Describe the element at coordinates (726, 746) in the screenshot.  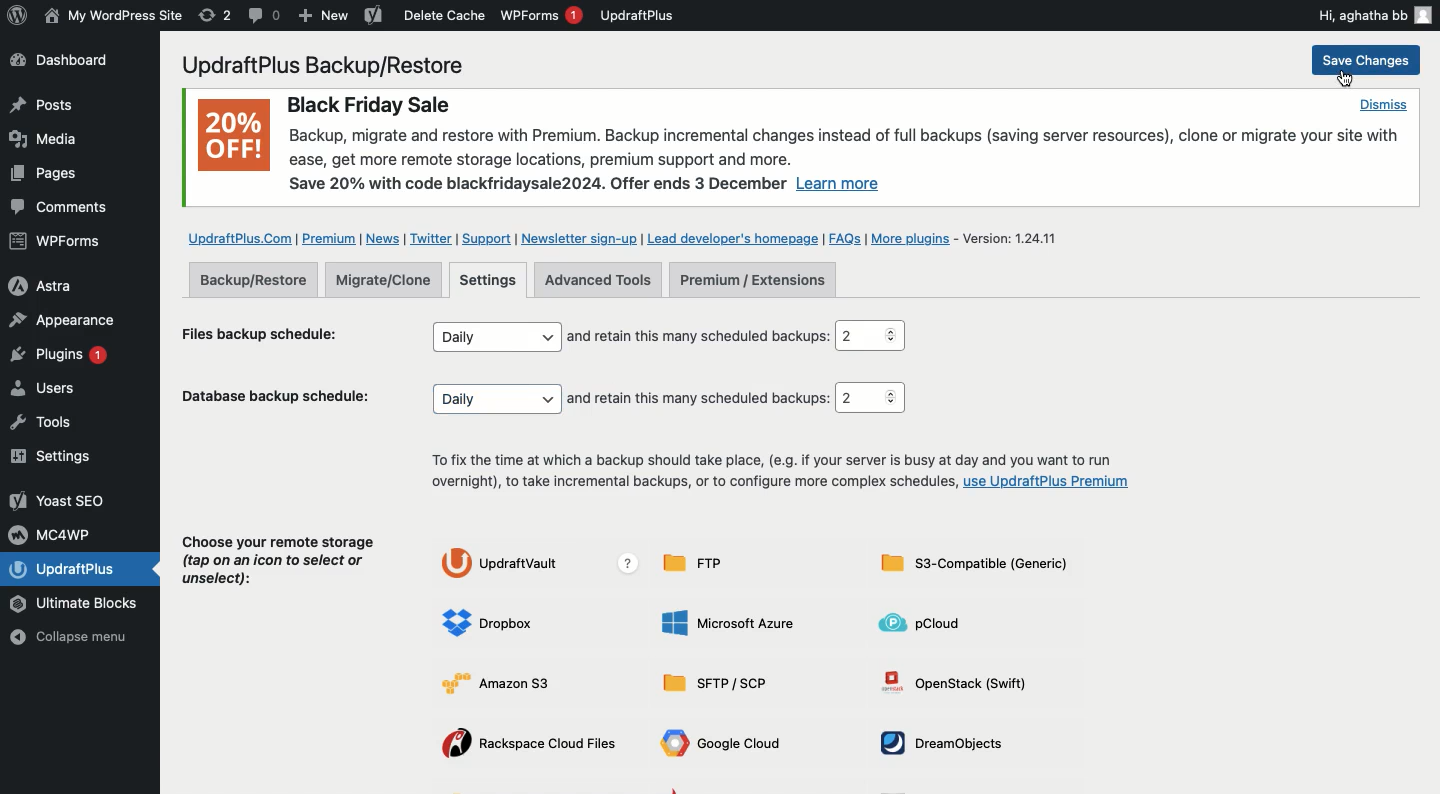
I see `Google cloud` at that location.